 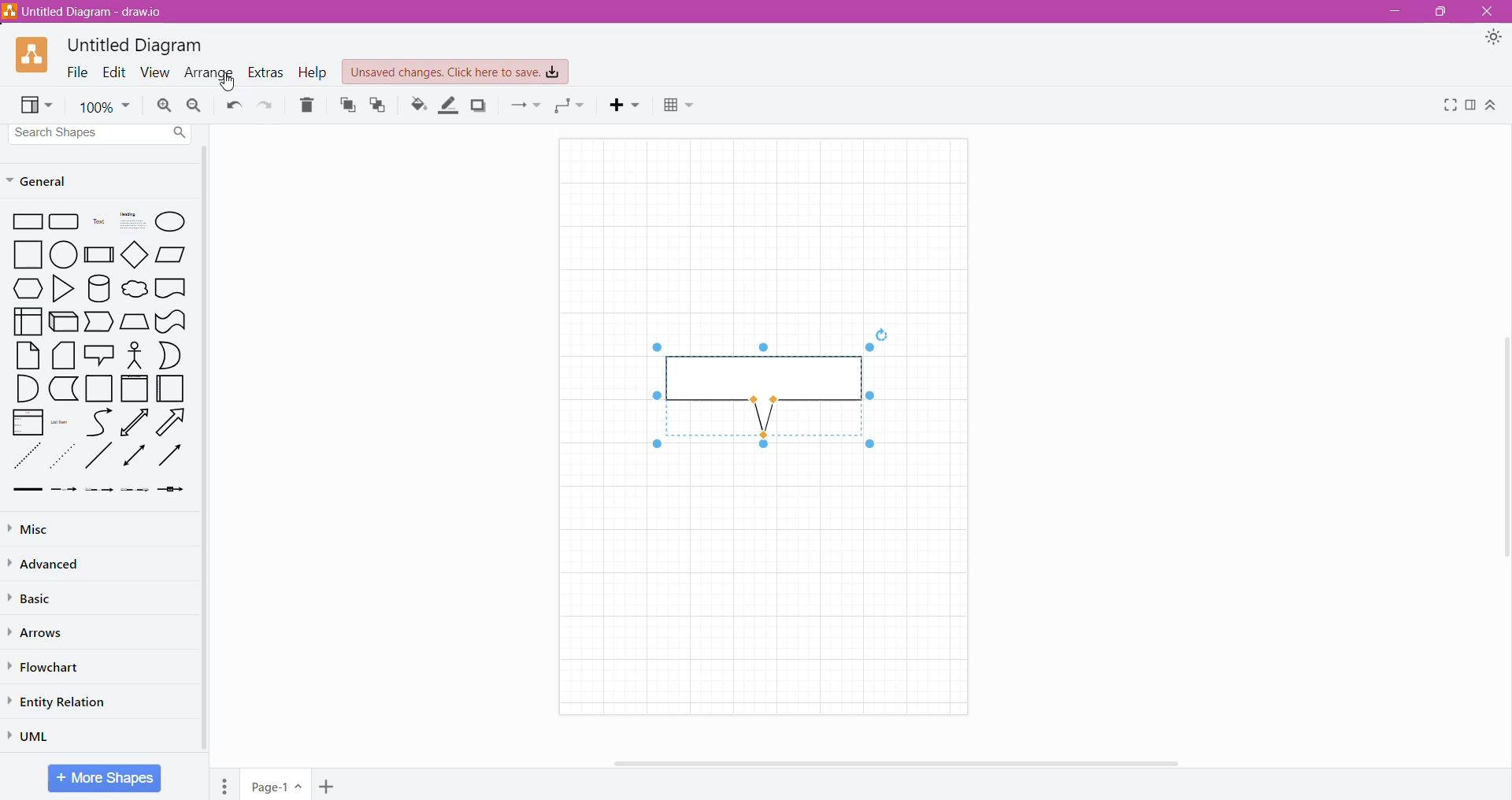 What do you see at coordinates (1502, 451) in the screenshot?
I see `Vertical Scroll Bar` at bounding box center [1502, 451].